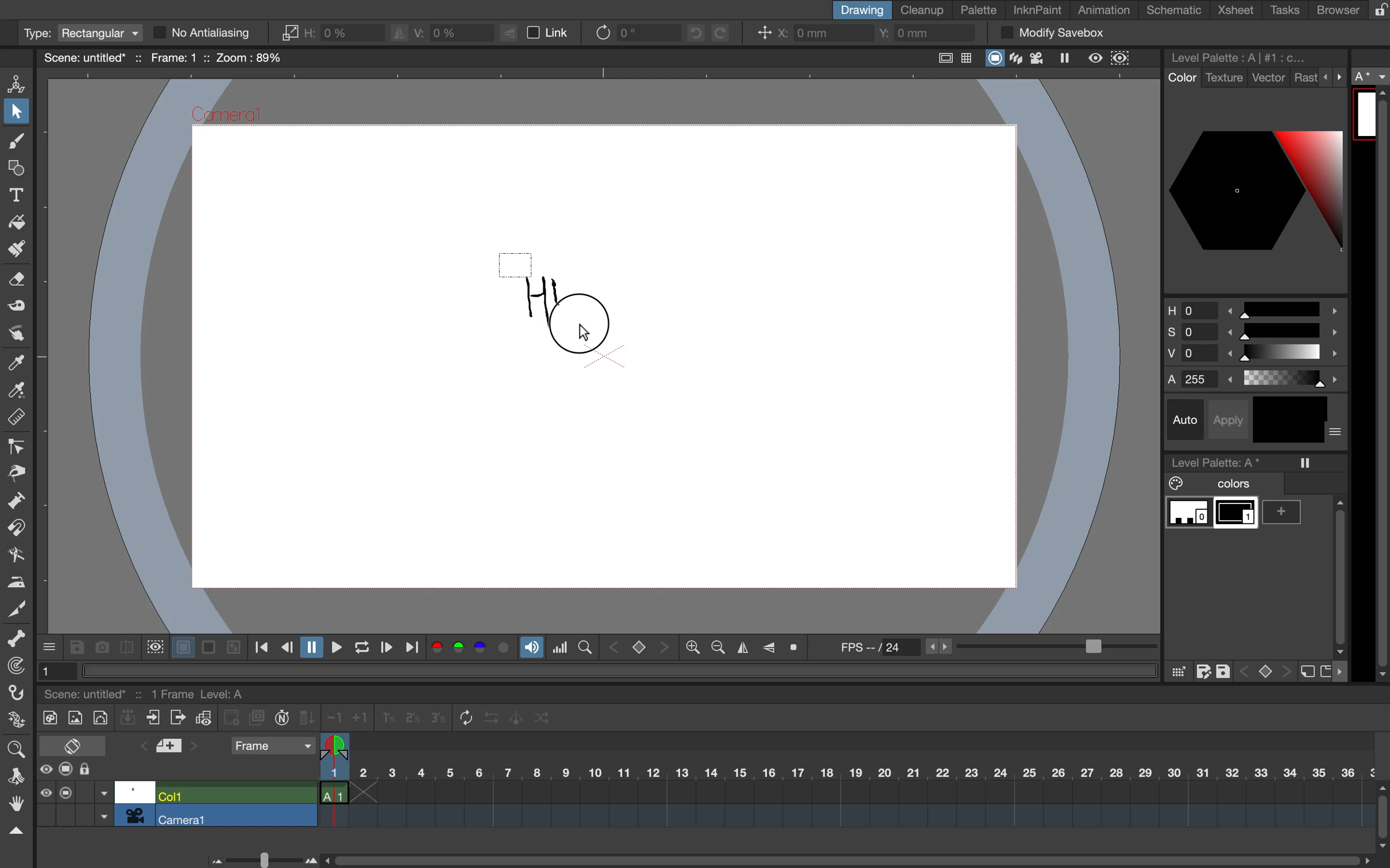 Image resolution: width=1390 pixels, height=868 pixels. What do you see at coordinates (1257, 379) in the screenshot?
I see `alphas` at bounding box center [1257, 379].